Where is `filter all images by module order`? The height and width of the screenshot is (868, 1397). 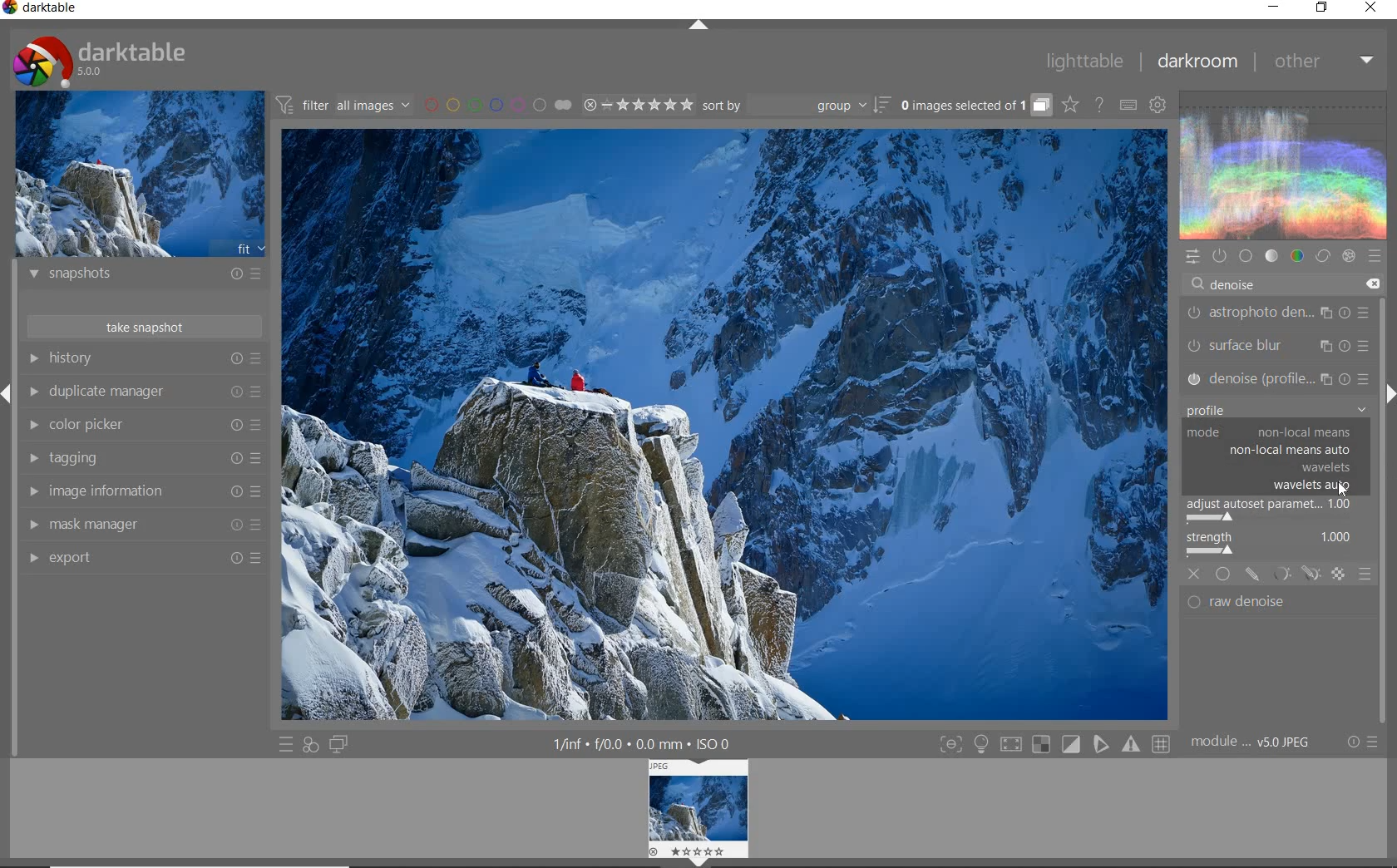
filter all images by module order is located at coordinates (344, 104).